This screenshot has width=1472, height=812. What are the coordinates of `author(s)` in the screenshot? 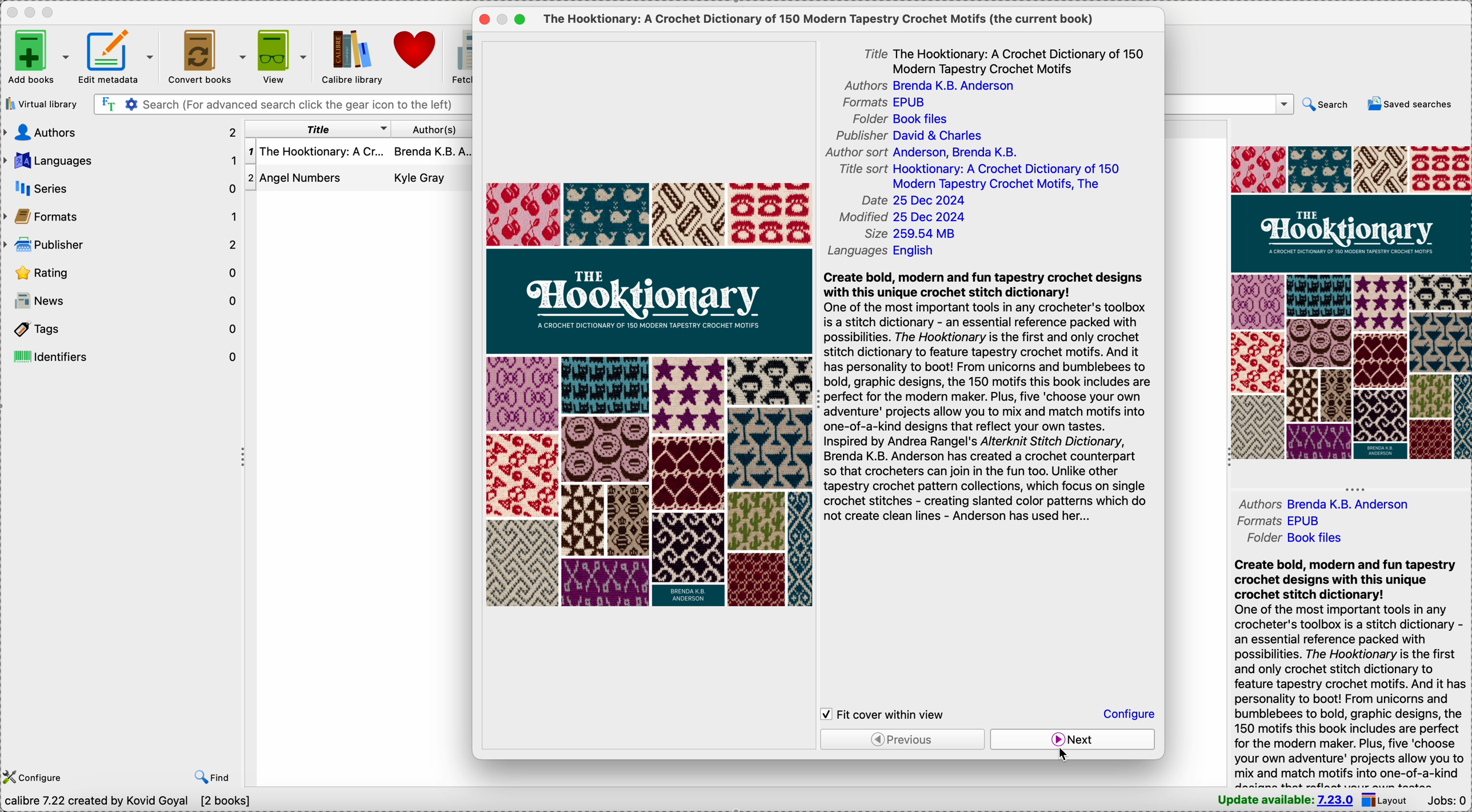 It's located at (433, 129).